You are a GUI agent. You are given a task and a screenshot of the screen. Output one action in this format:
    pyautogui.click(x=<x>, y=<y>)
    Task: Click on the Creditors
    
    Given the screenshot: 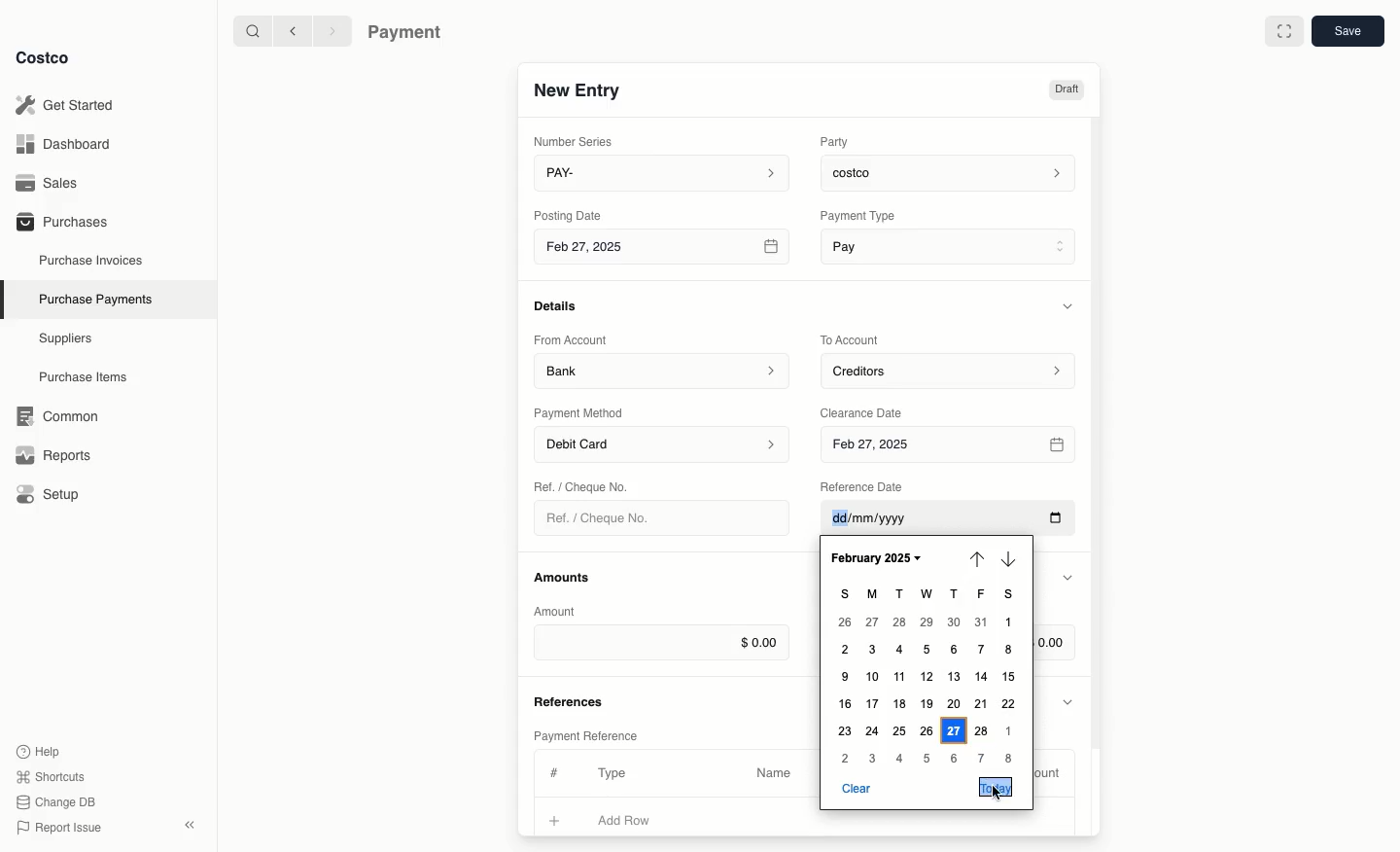 What is the action you would take?
    pyautogui.click(x=951, y=370)
    